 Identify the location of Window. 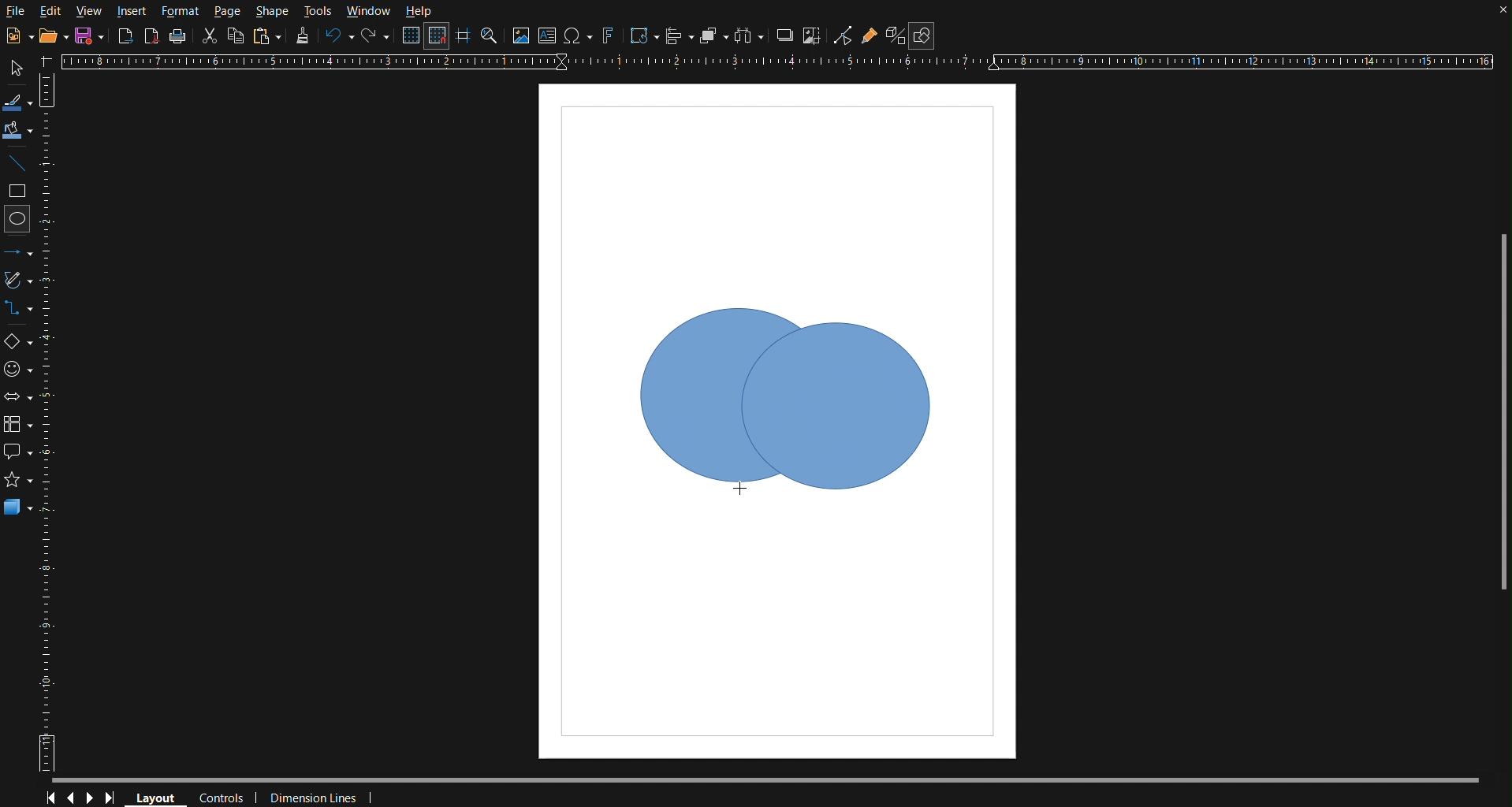
(368, 10).